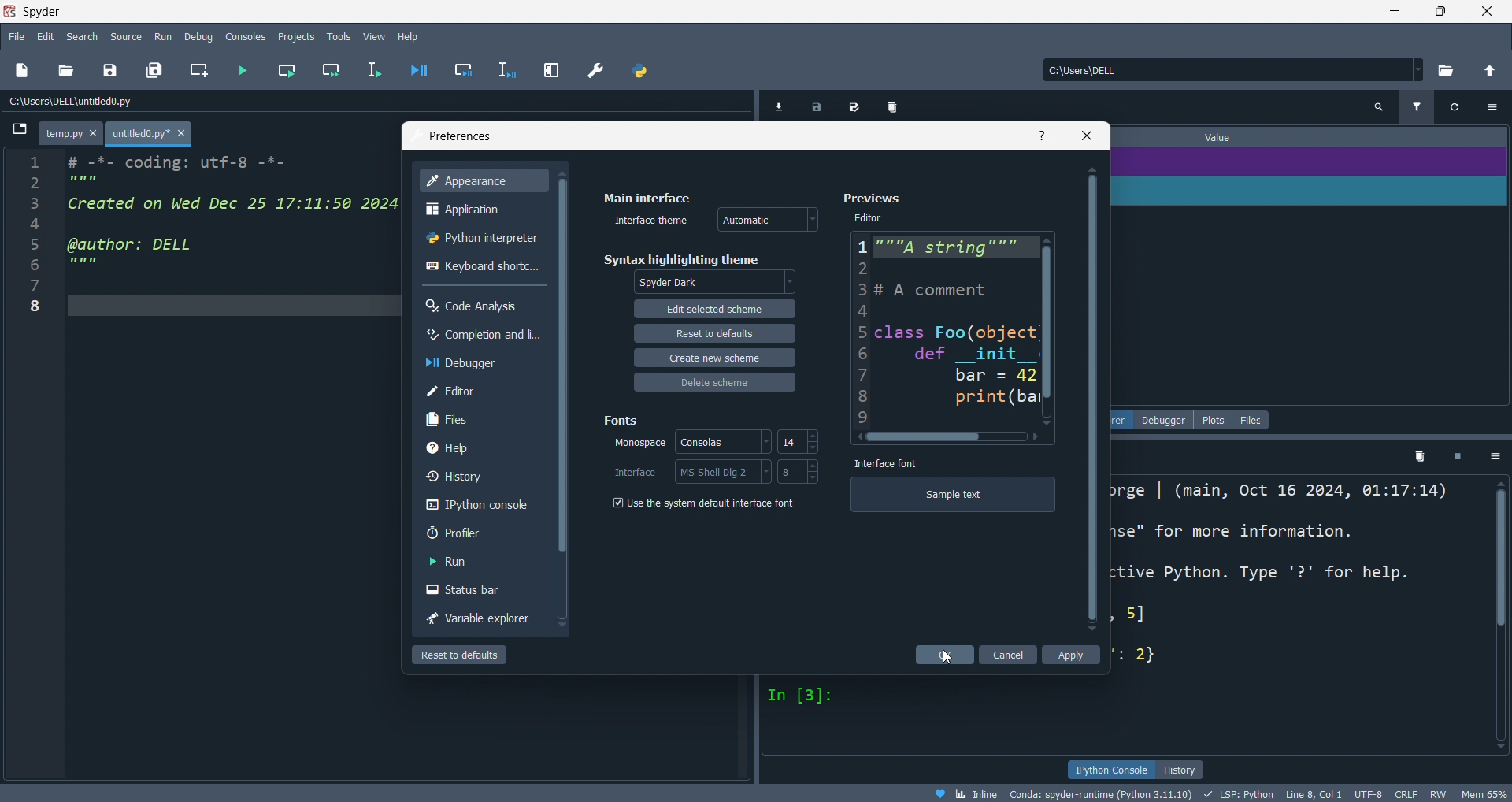 The image size is (1512, 802). What do you see at coordinates (1099, 793) in the screenshot?
I see `Conda: spyder-runtime (Python 3.11.10)` at bounding box center [1099, 793].